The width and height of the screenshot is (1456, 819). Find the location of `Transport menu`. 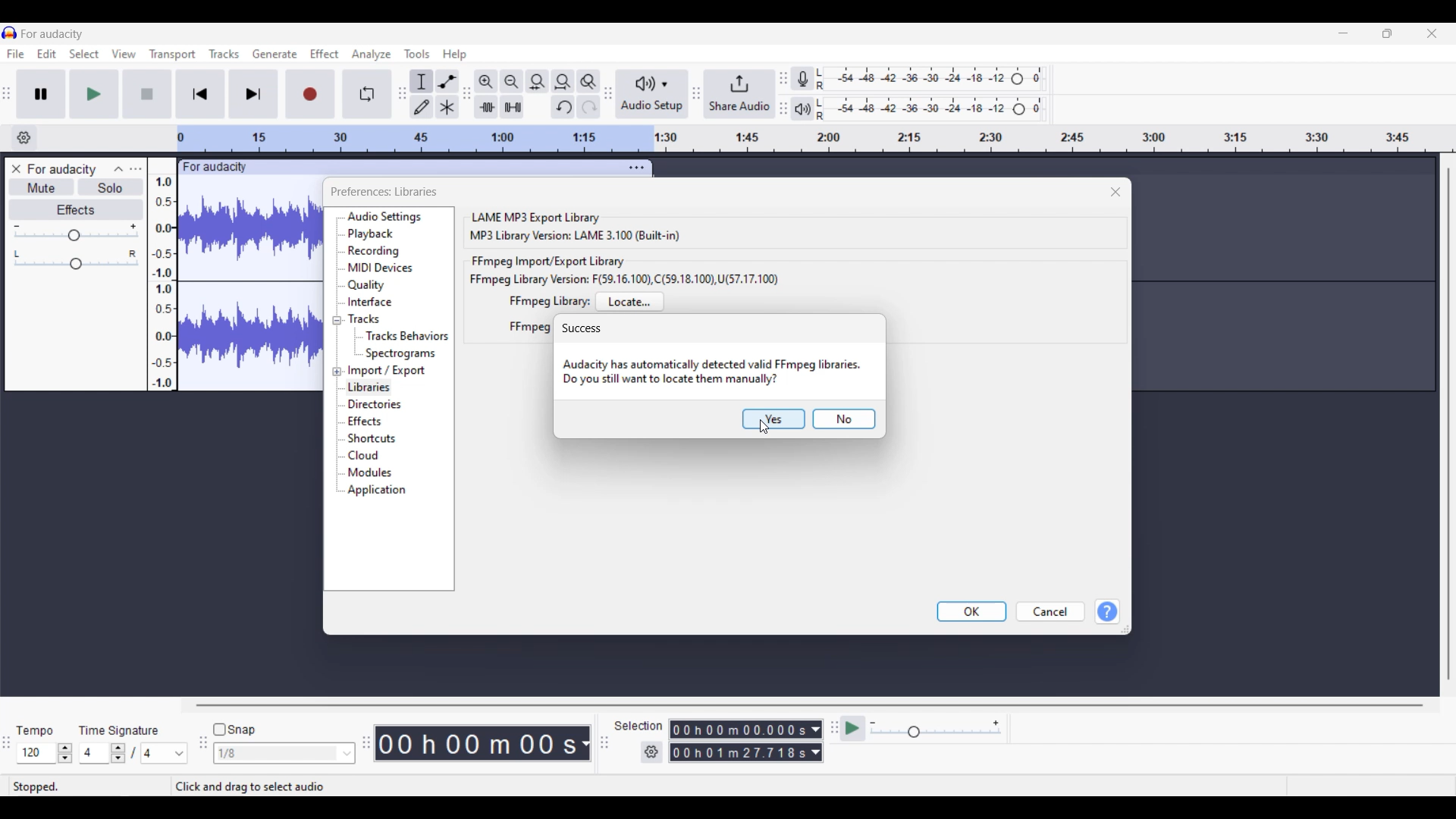

Transport menu is located at coordinates (172, 55).